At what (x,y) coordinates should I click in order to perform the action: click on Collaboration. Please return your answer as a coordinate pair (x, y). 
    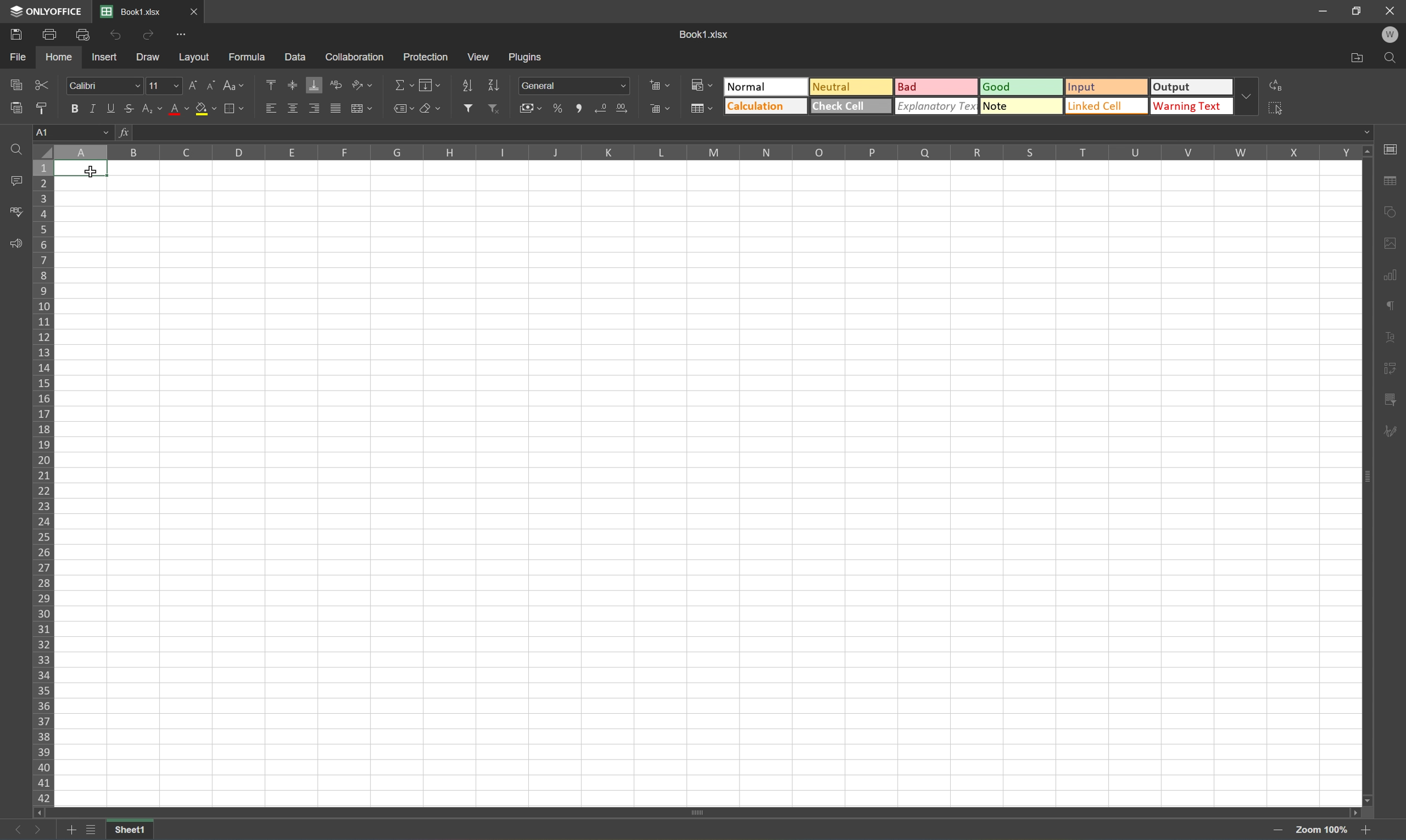
    Looking at the image, I should click on (359, 57).